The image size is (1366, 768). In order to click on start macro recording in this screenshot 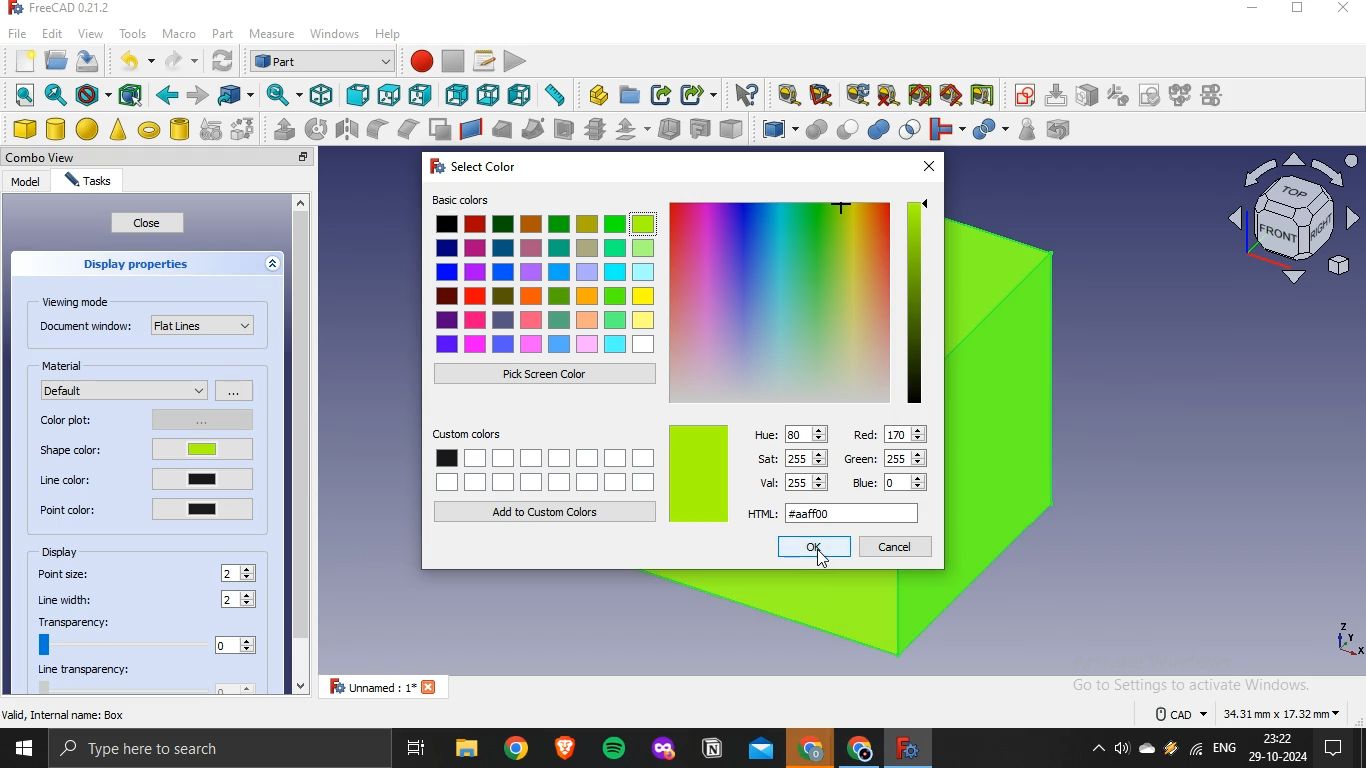, I will do `click(421, 60)`.